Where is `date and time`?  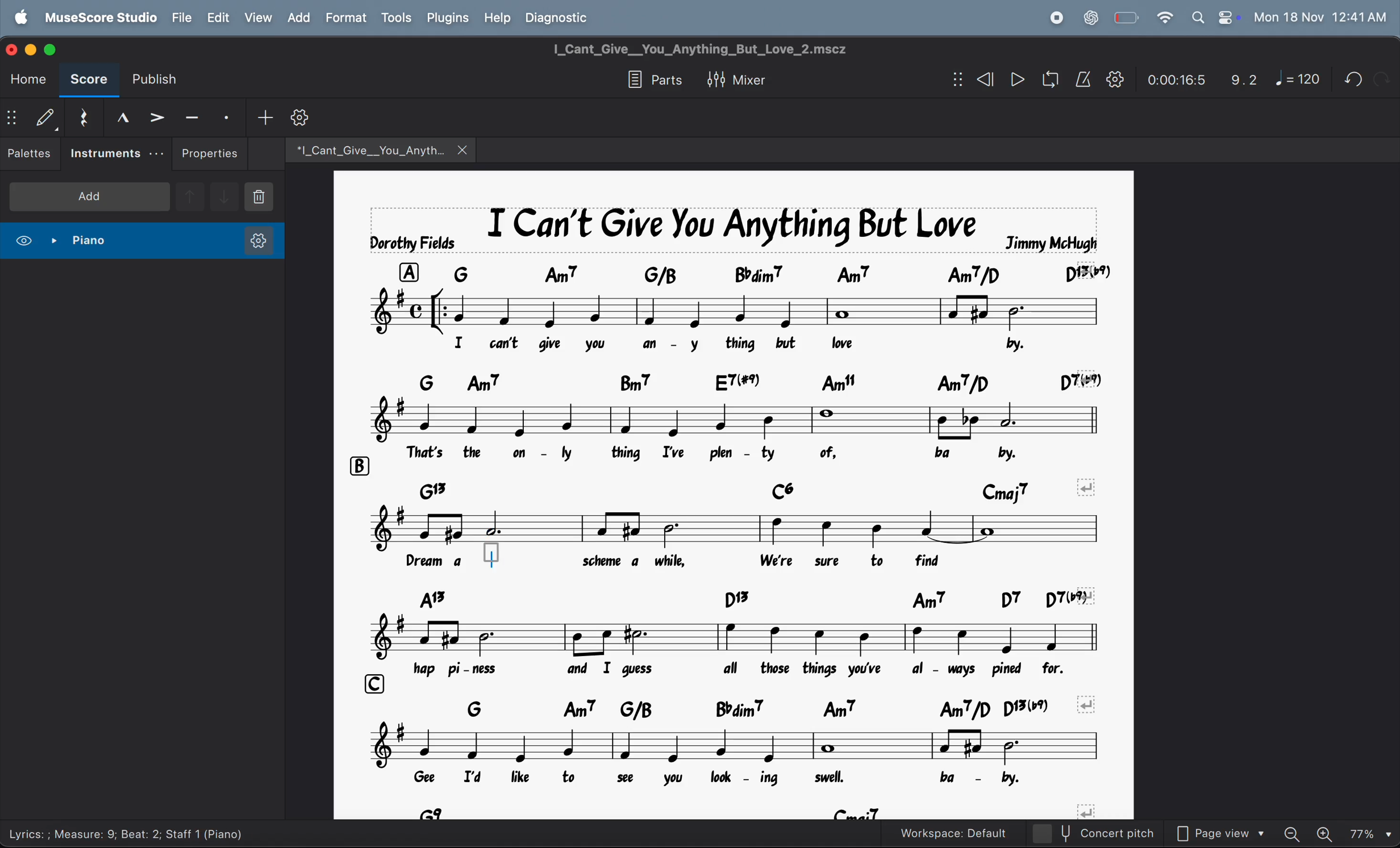
date and time is located at coordinates (1323, 17).